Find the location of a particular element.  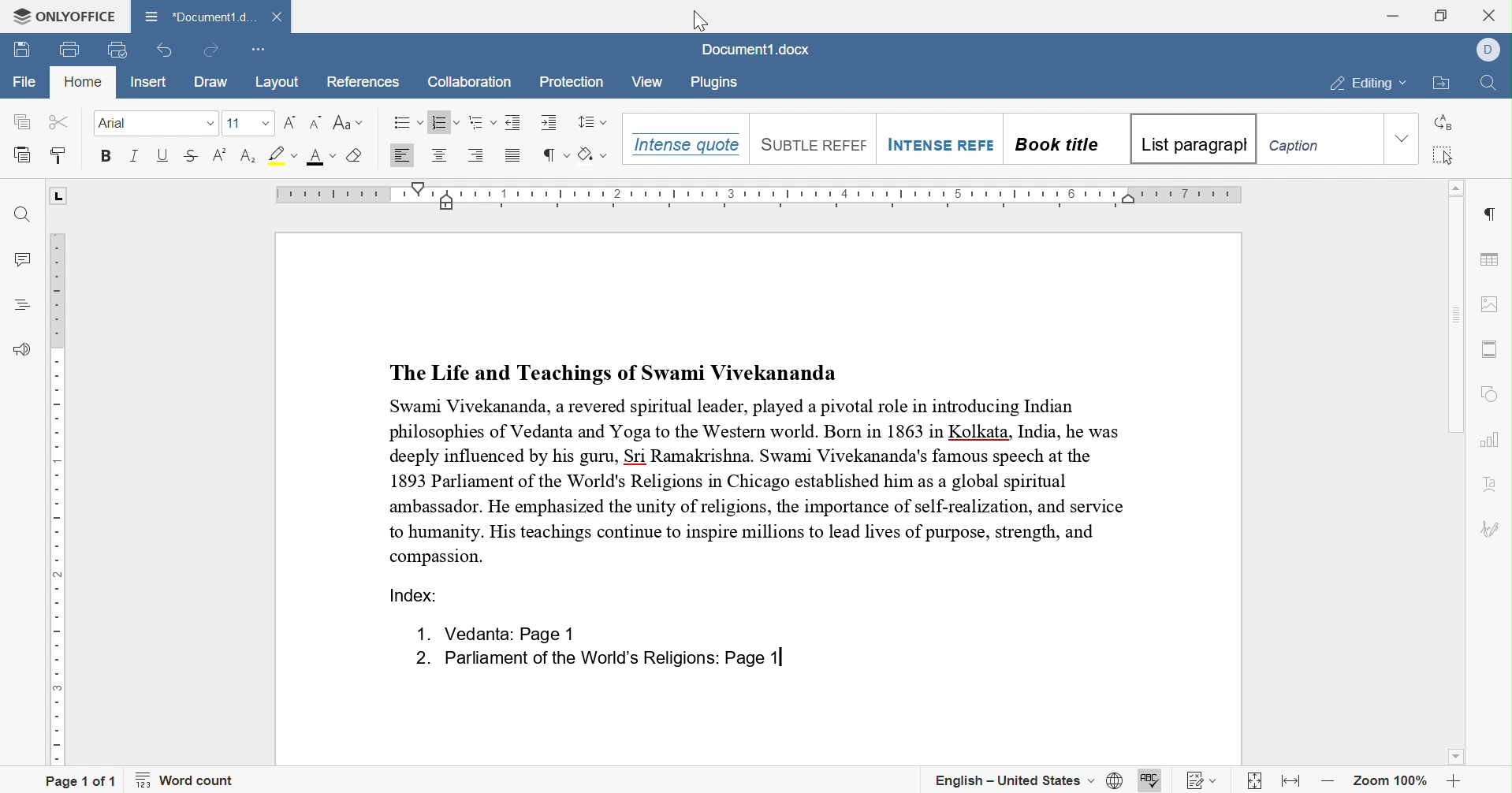

copy style is located at coordinates (58, 155).